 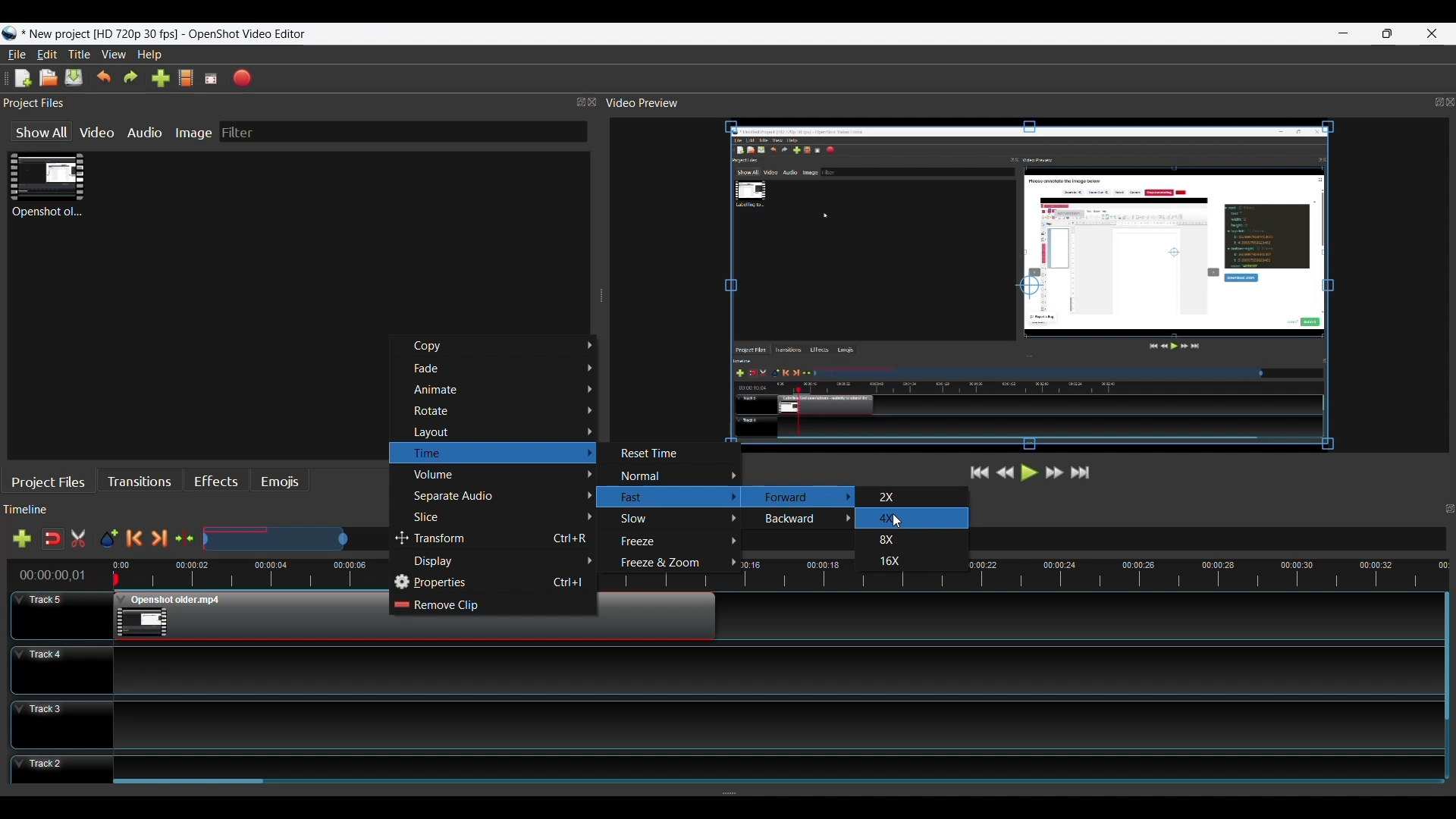 What do you see at coordinates (1446, 657) in the screenshot?
I see `Vertical Scroll bar` at bounding box center [1446, 657].